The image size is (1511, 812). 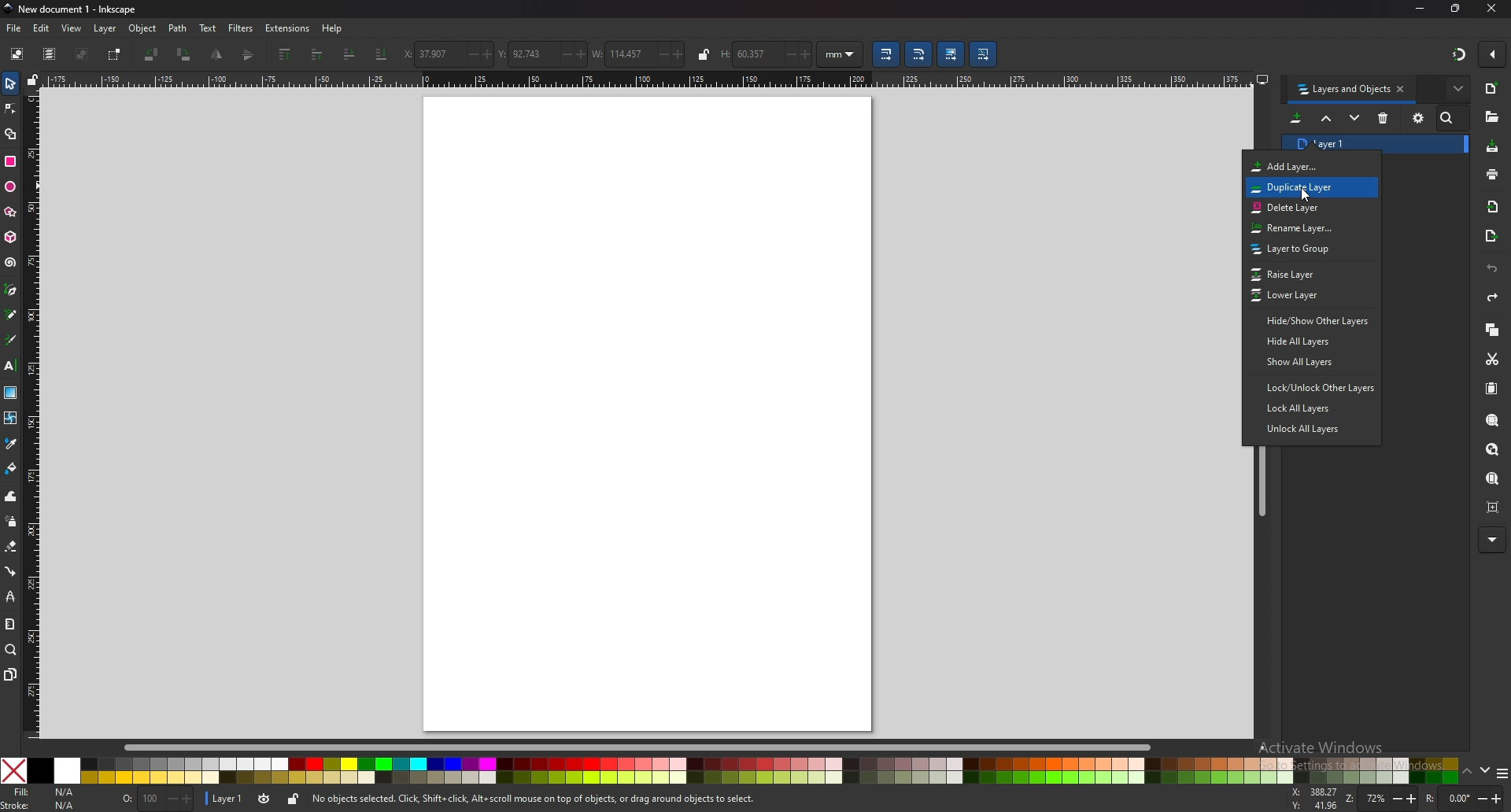 I want to click on file, so click(x=14, y=29).